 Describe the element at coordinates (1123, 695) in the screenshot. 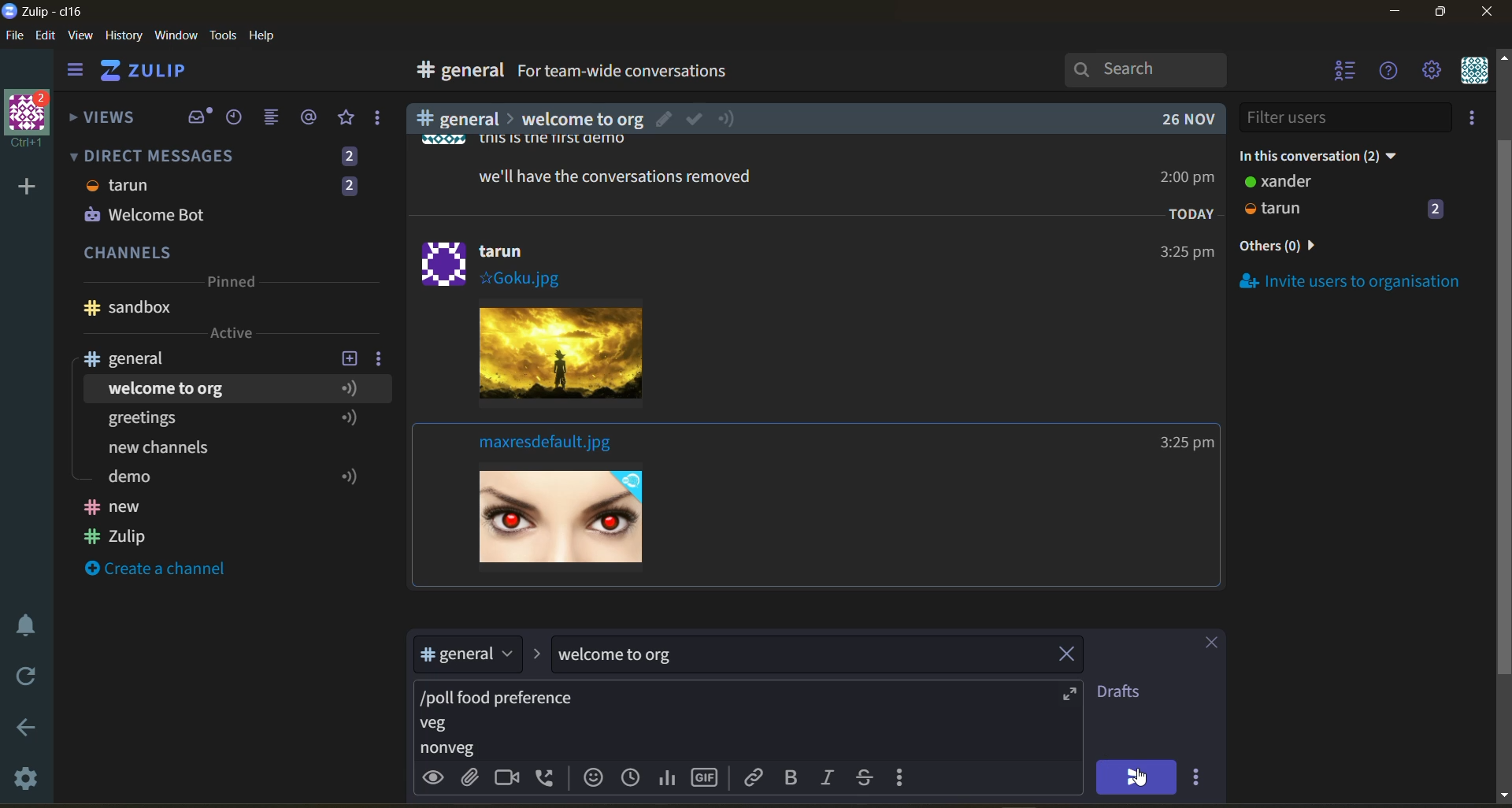

I see `drafts` at that location.